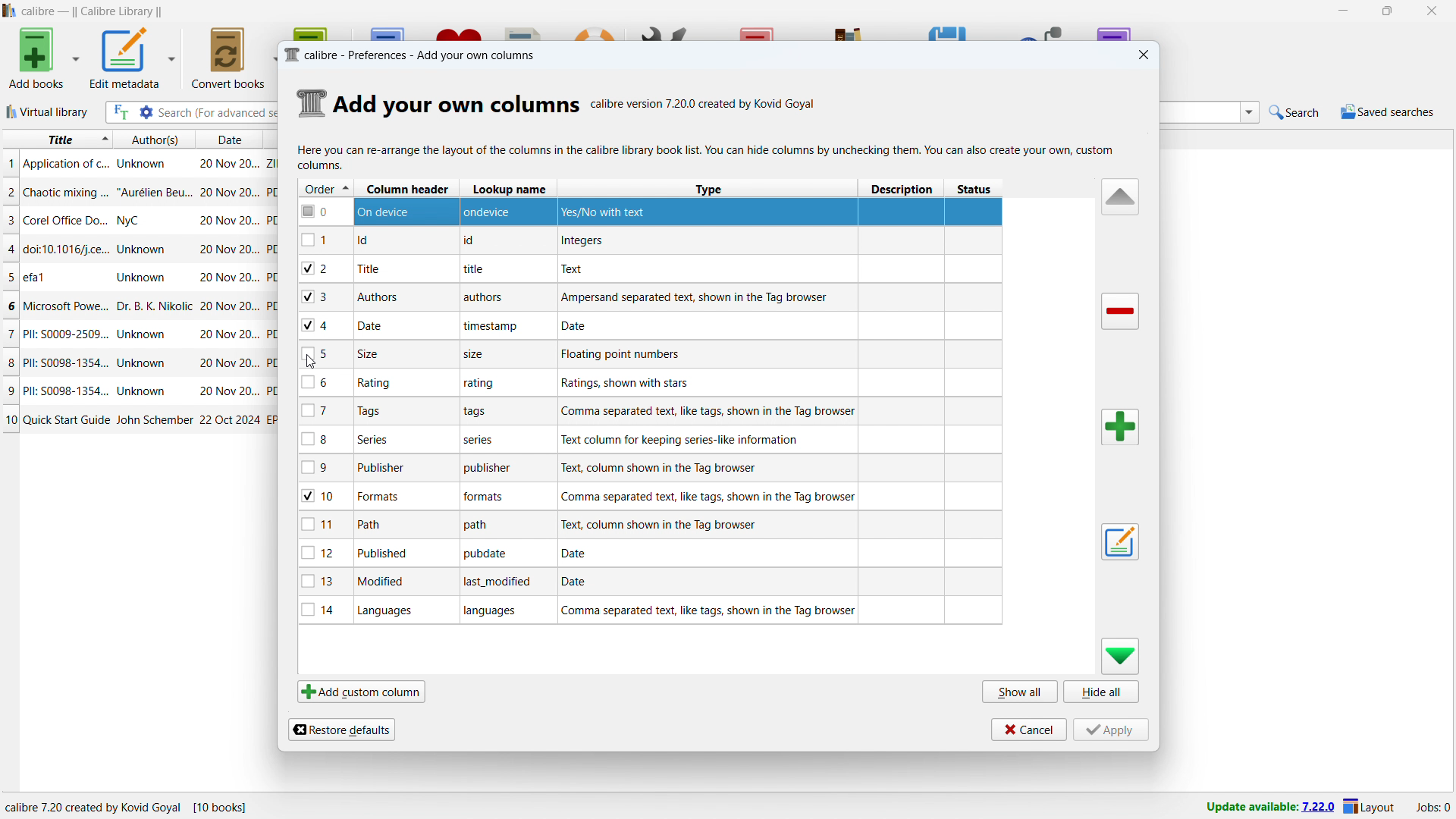 This screenshot has width=1456, height=819. I want to click on 5, so click(9, 278).